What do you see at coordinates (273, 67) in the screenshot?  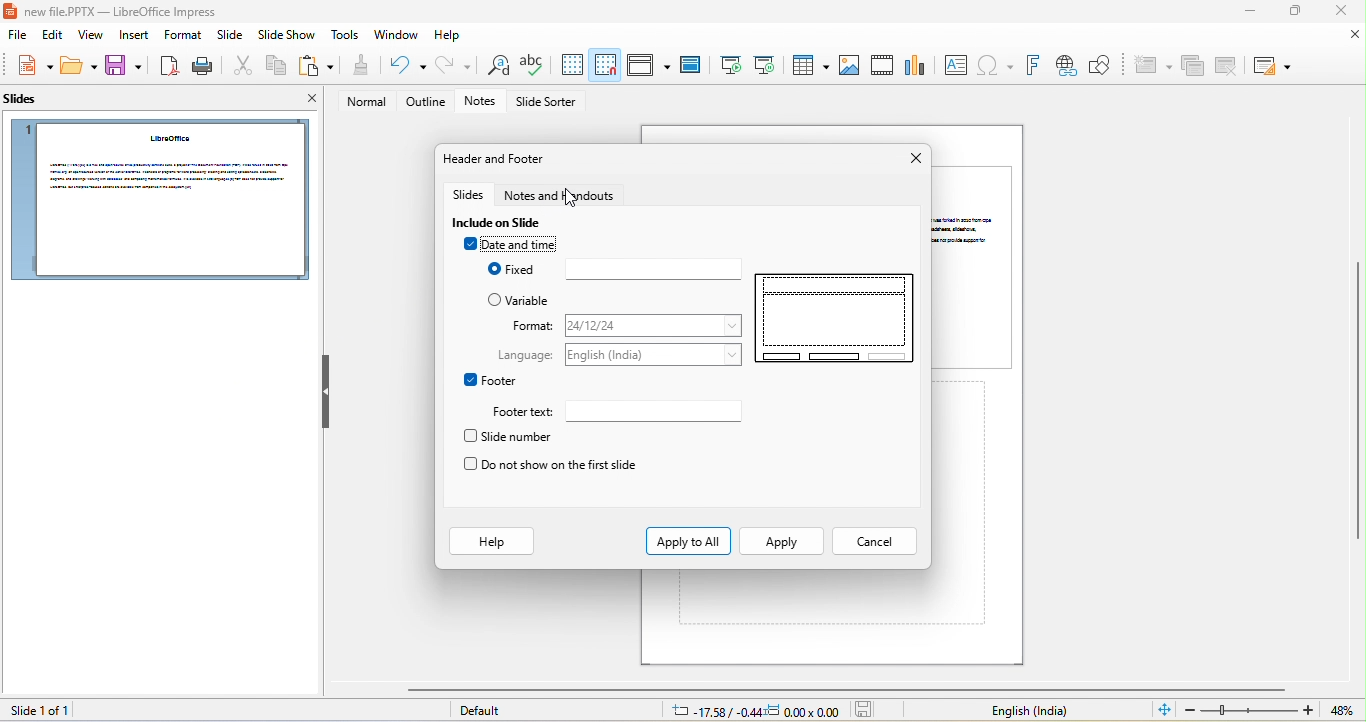 I see `copy` at bounding box center [273, 67].